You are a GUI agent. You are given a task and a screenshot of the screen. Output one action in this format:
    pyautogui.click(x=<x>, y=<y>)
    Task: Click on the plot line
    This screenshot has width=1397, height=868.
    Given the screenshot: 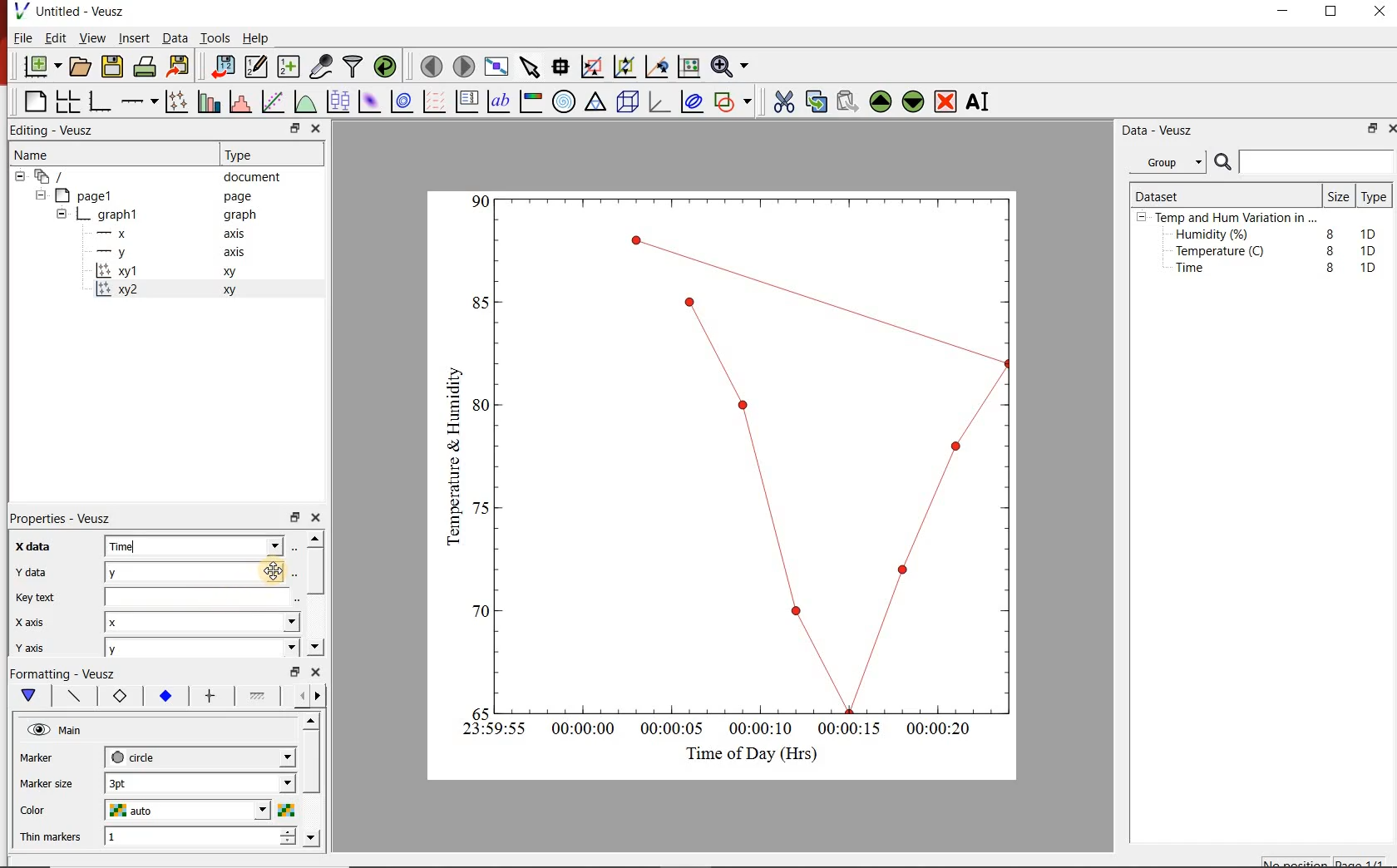 What is the action you would take?
    pyautogui.click(x=75, y=697)
    